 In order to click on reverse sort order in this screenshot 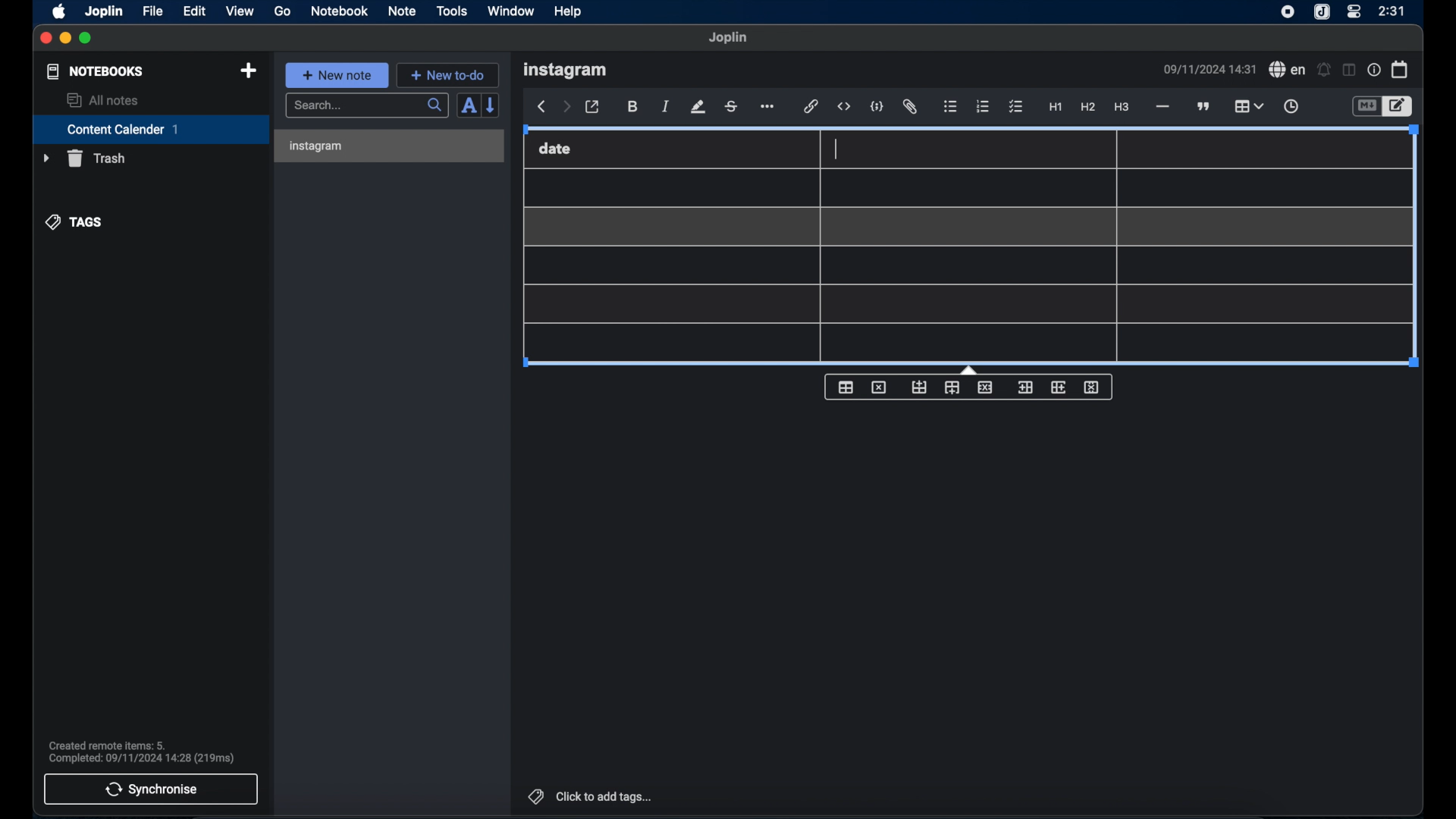, I will do `click(491, 105)`.